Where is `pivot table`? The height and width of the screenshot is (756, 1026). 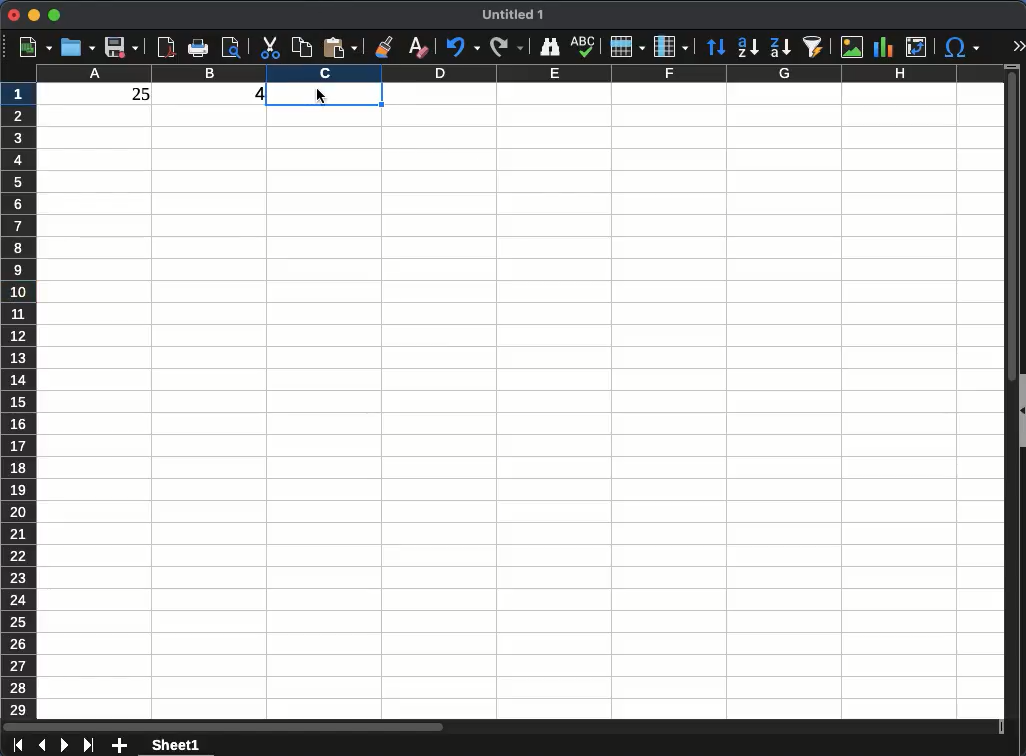 pivot table is located at coordinates (917, 47).